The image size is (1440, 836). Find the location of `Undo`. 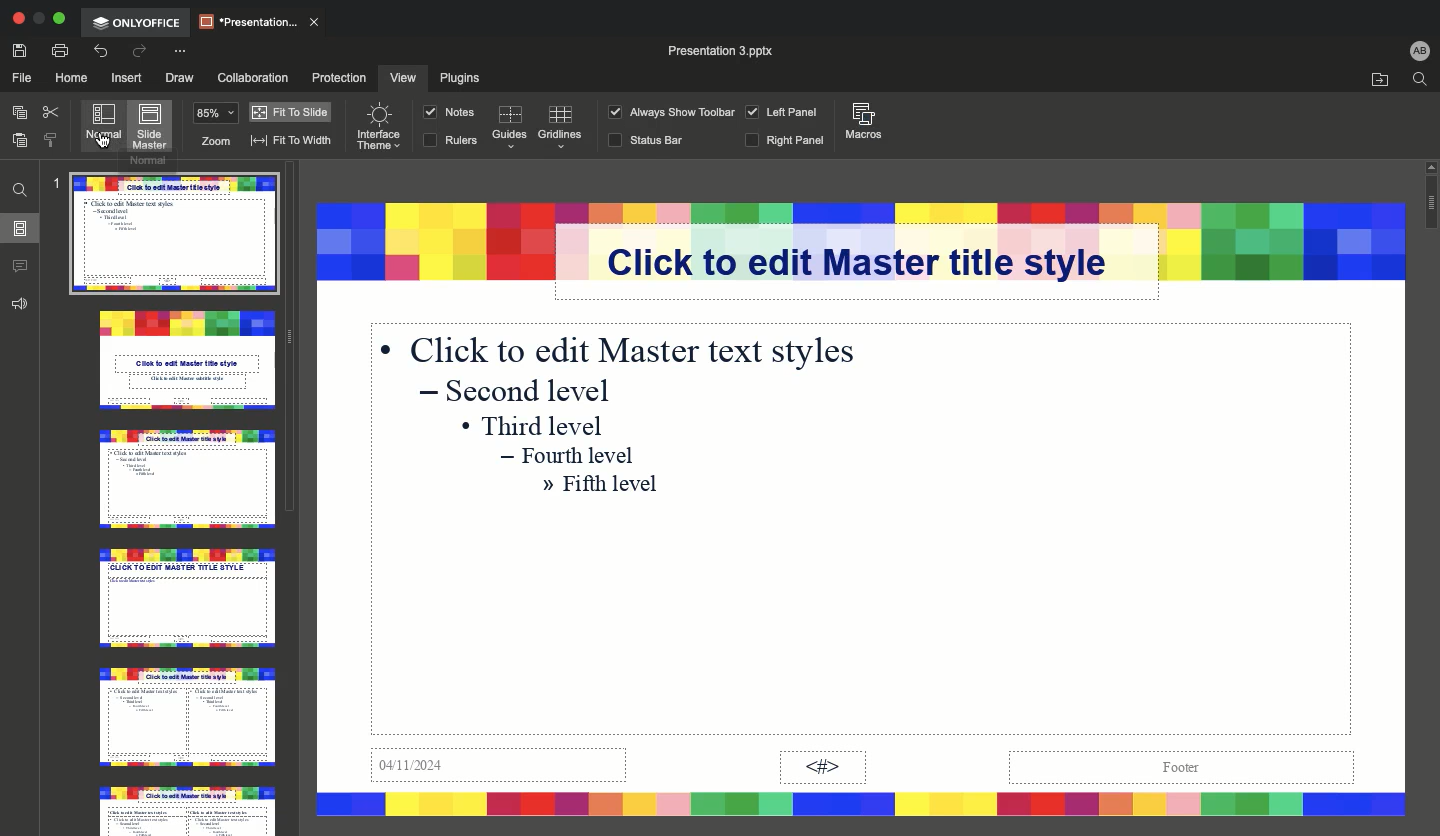

Undo is located at coordinates (102, 51).